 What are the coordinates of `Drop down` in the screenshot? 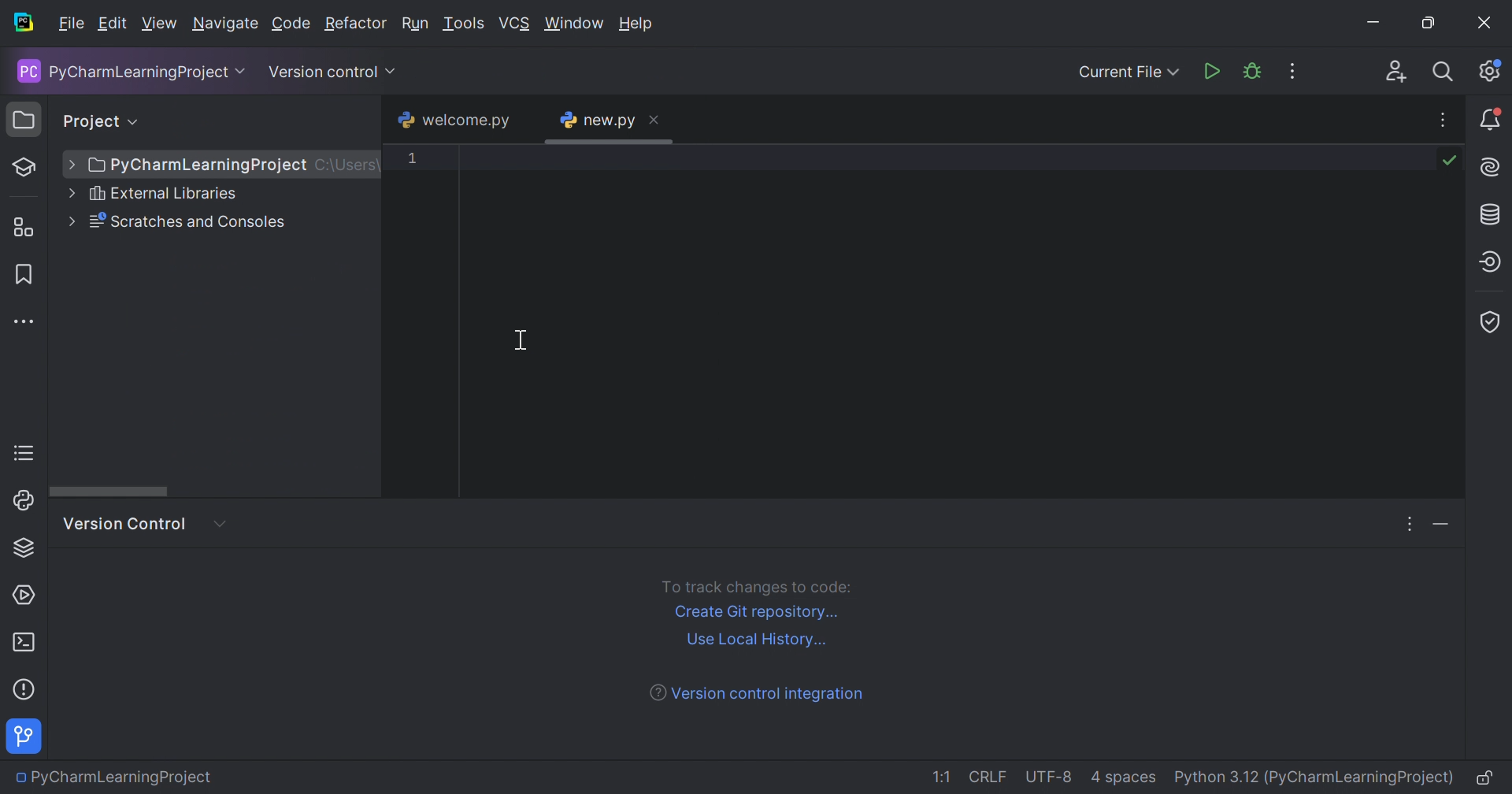 It's located at (71, 164).